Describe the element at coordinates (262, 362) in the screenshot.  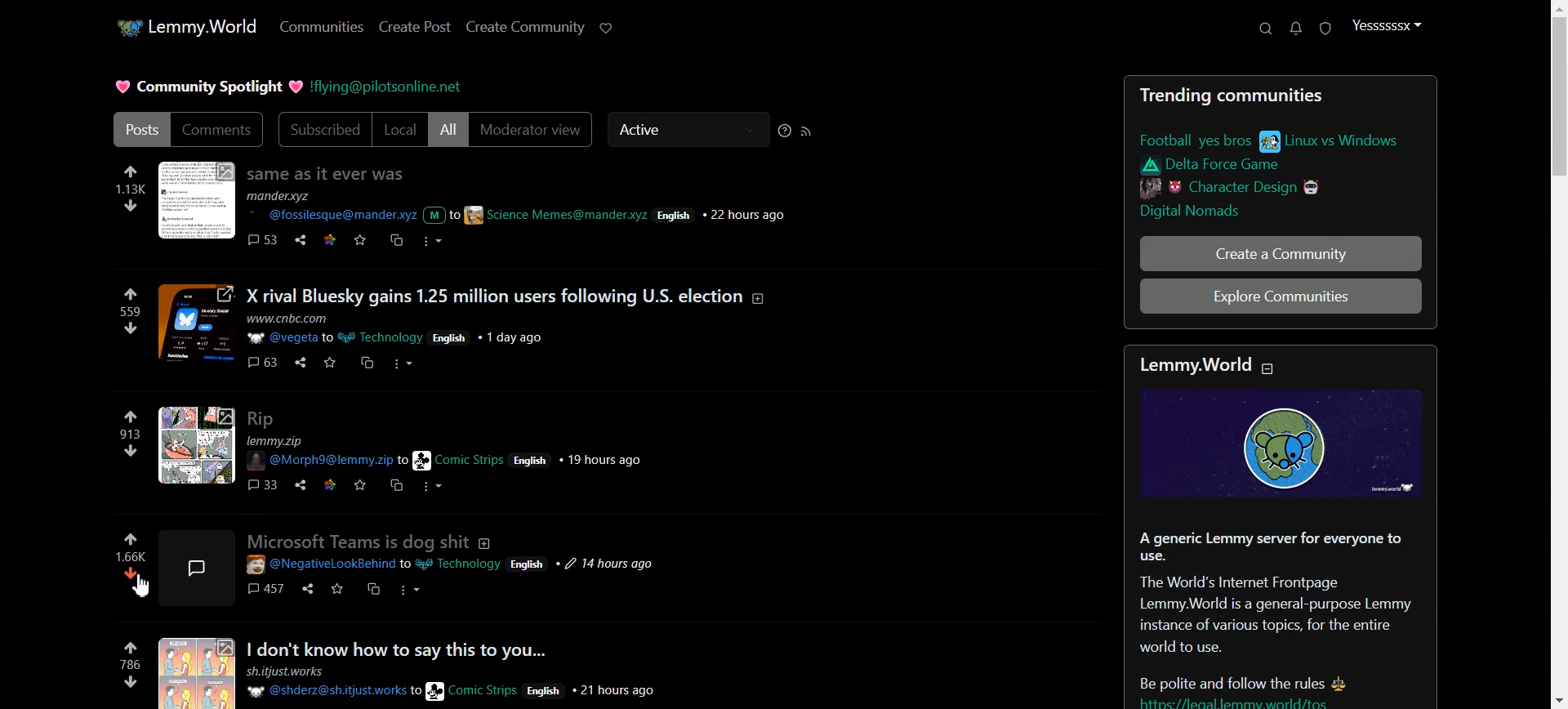
I see `comments` at that location.